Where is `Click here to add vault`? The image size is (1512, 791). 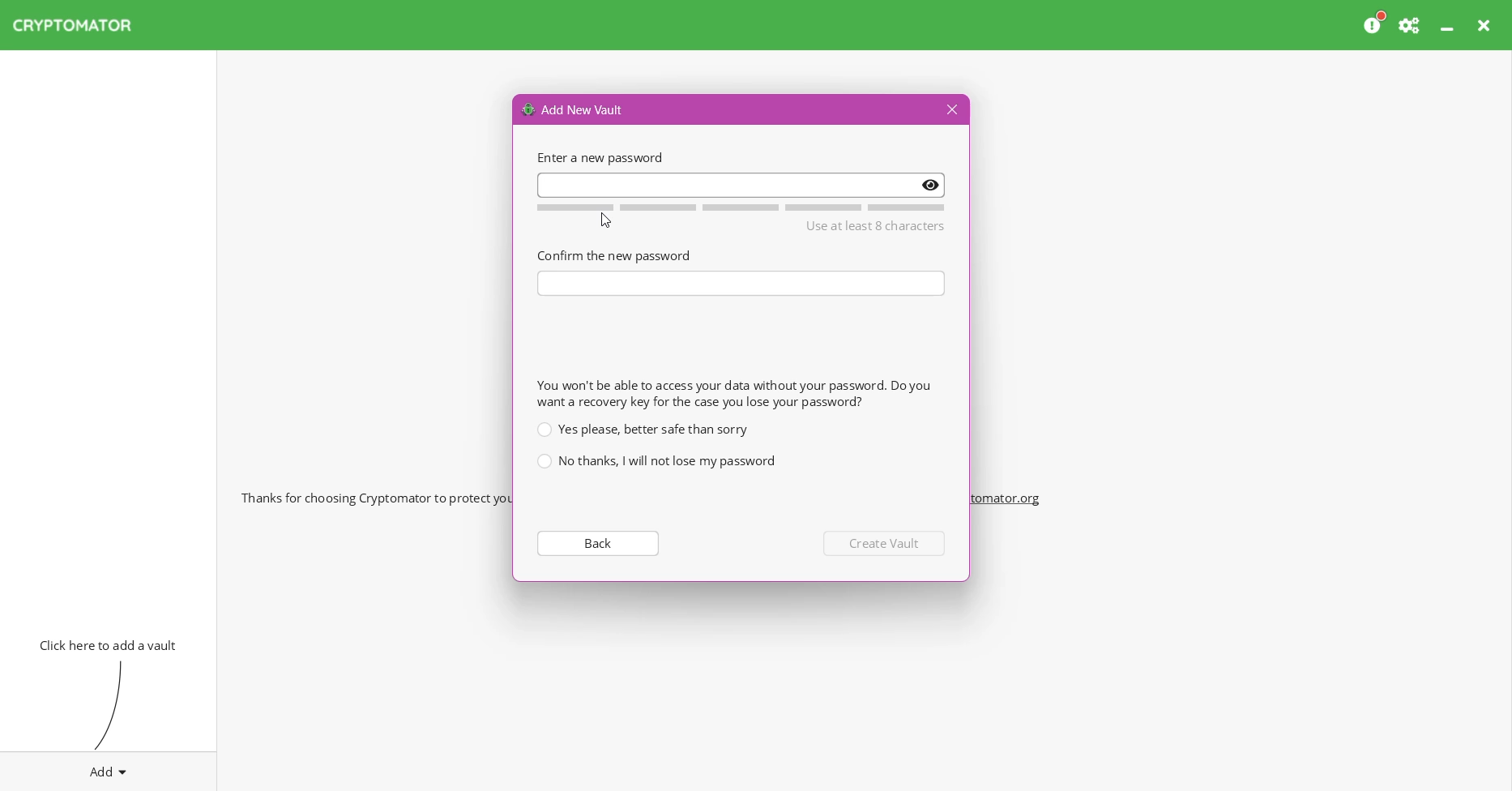
Click here to add vault is located at coordinates (105, 643).